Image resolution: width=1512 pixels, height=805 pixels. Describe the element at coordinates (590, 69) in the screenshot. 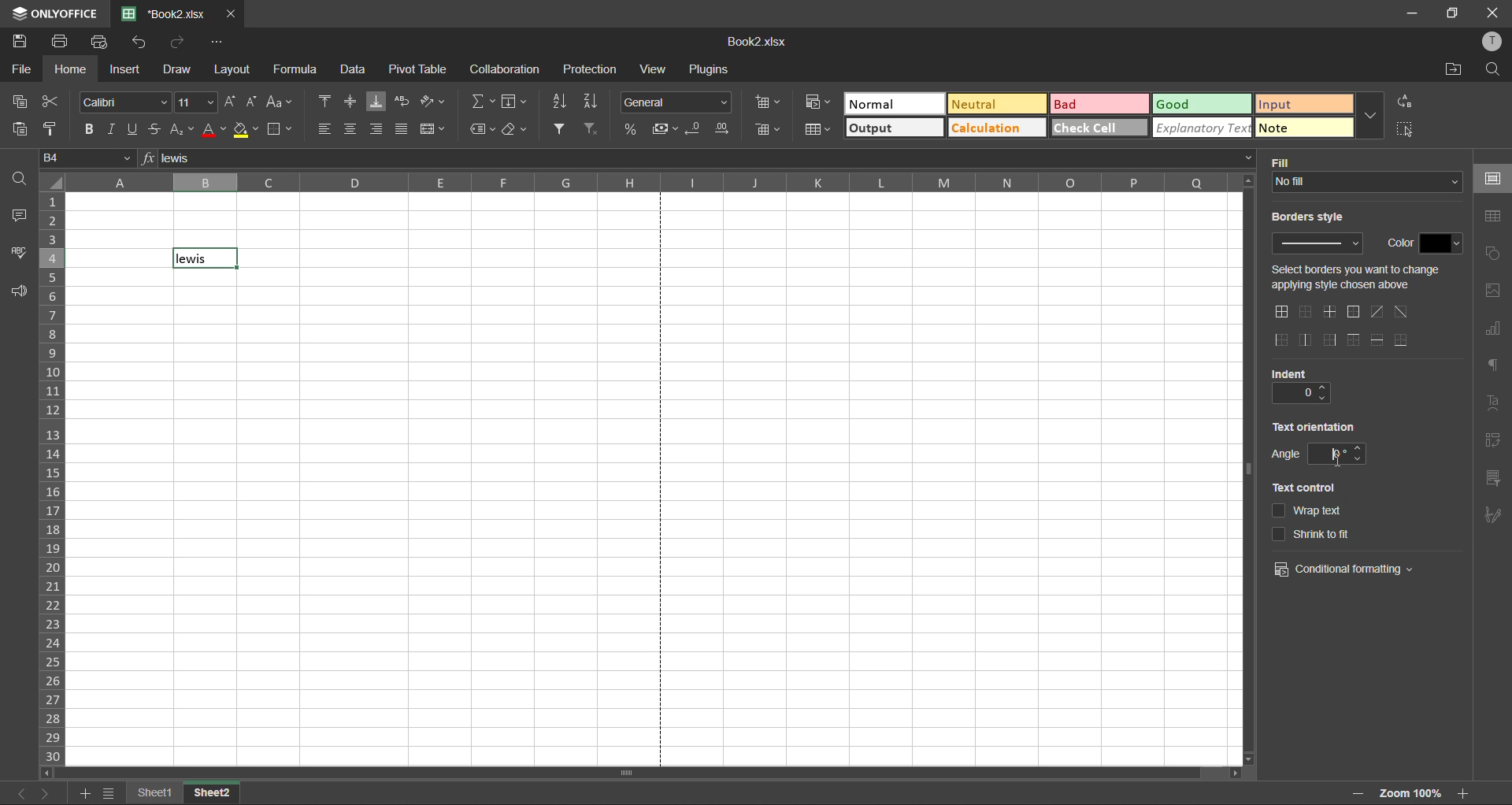

I see `protection` at that location.